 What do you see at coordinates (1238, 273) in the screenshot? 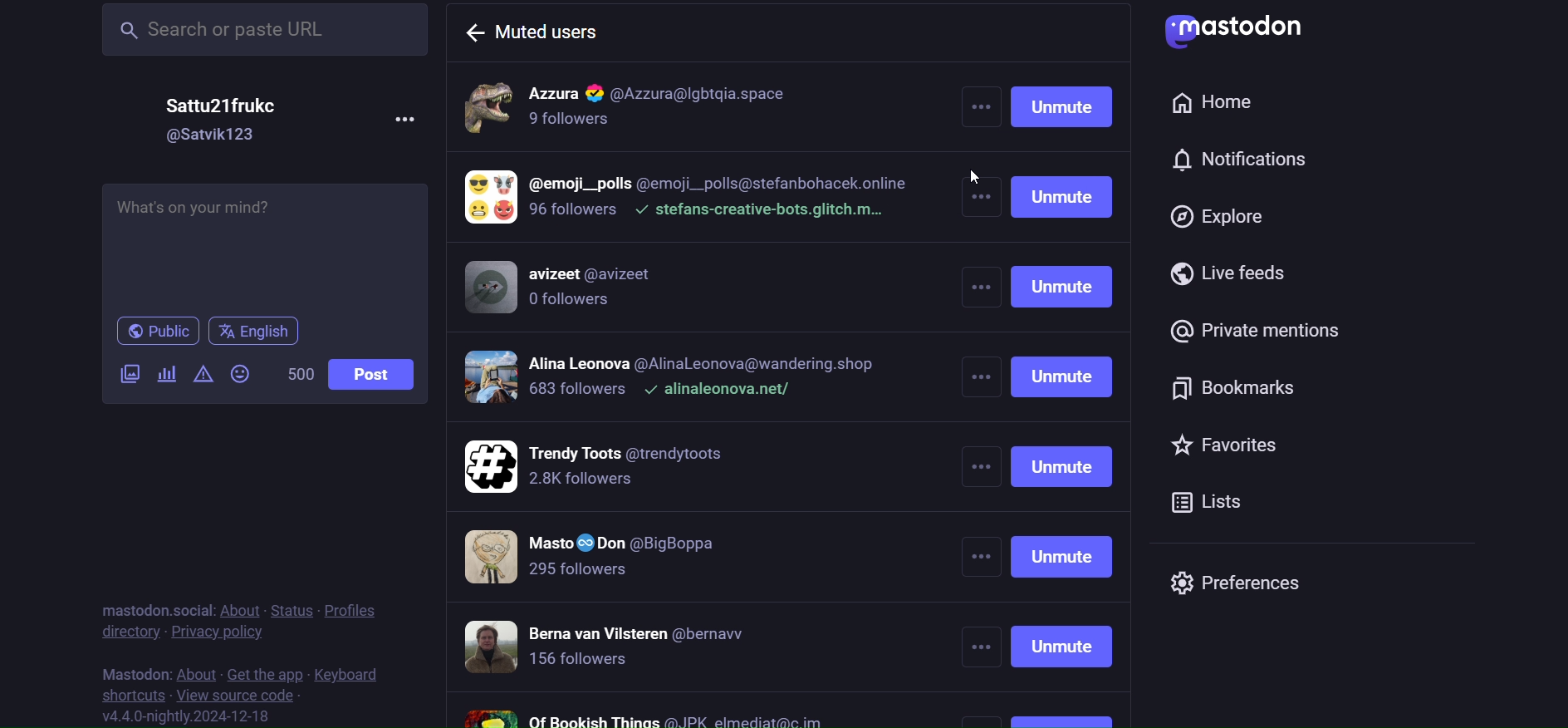
I see `live feed` at bounding box center [1238, 273].